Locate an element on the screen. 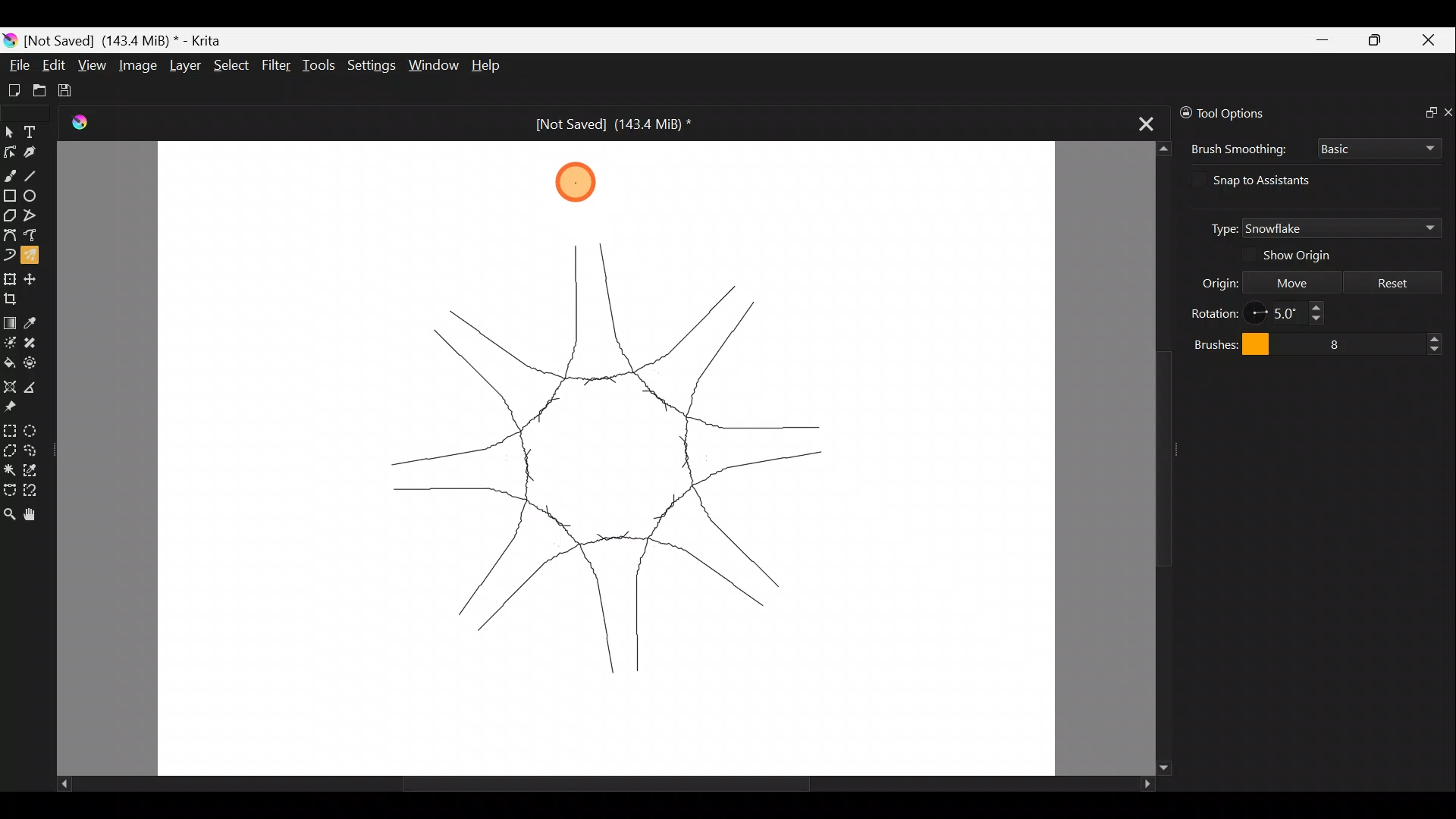  Polyline is located at coordinates (30, 216).